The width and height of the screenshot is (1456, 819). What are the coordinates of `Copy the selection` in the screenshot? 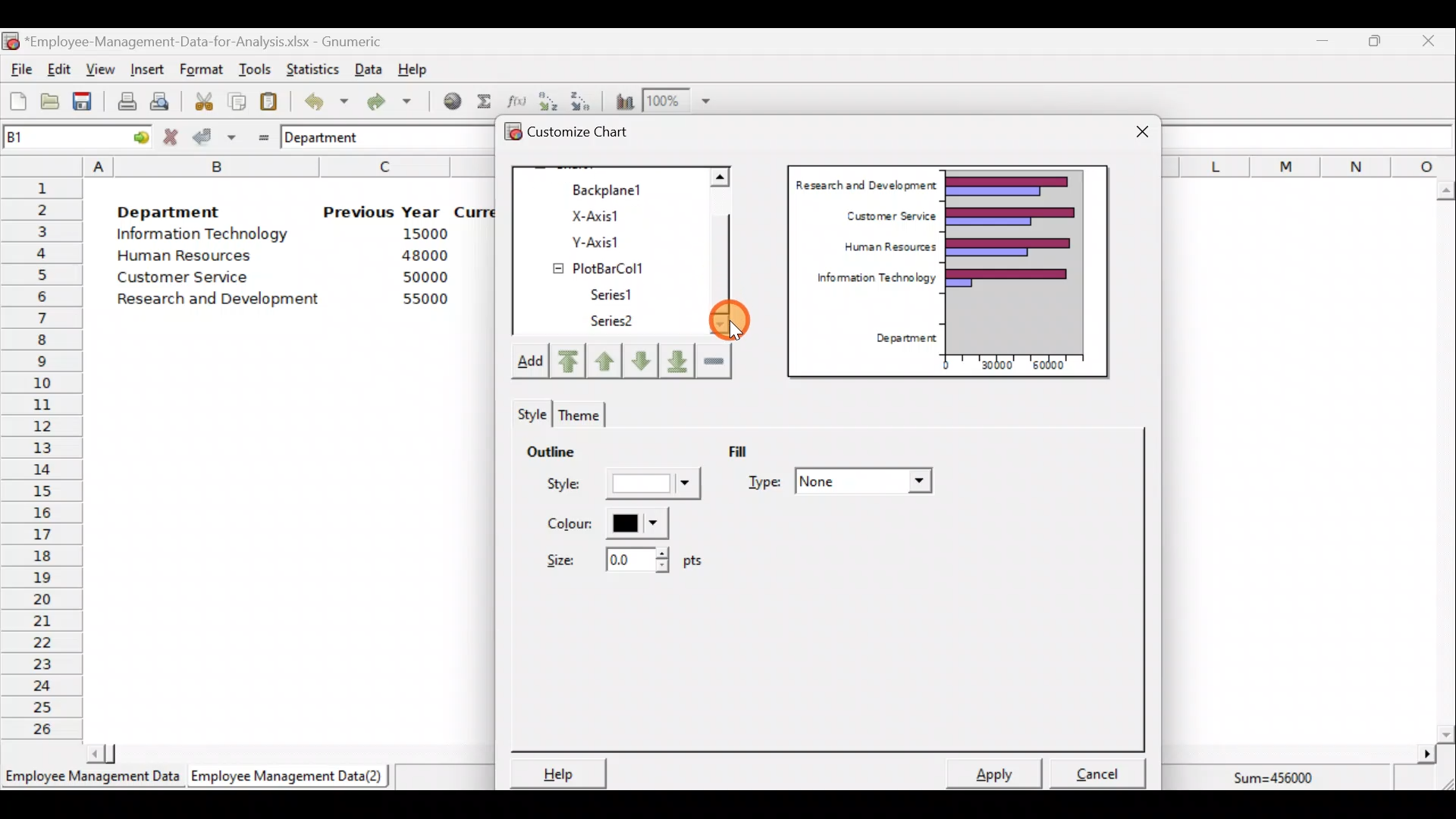 It's located at (236, 99).